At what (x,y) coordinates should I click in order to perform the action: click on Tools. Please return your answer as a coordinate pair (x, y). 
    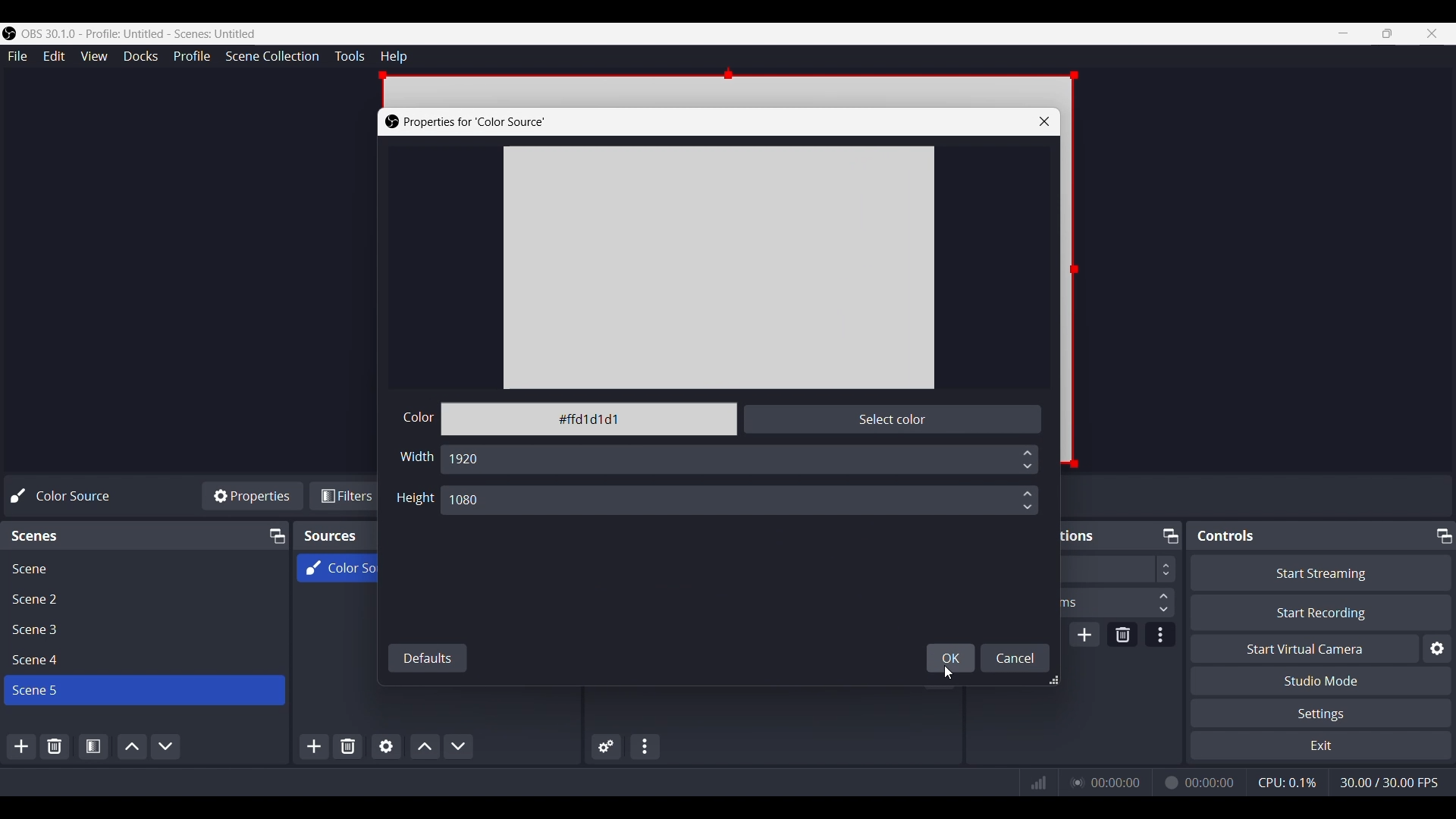
    Looking at the image, I should click on (349, 56).